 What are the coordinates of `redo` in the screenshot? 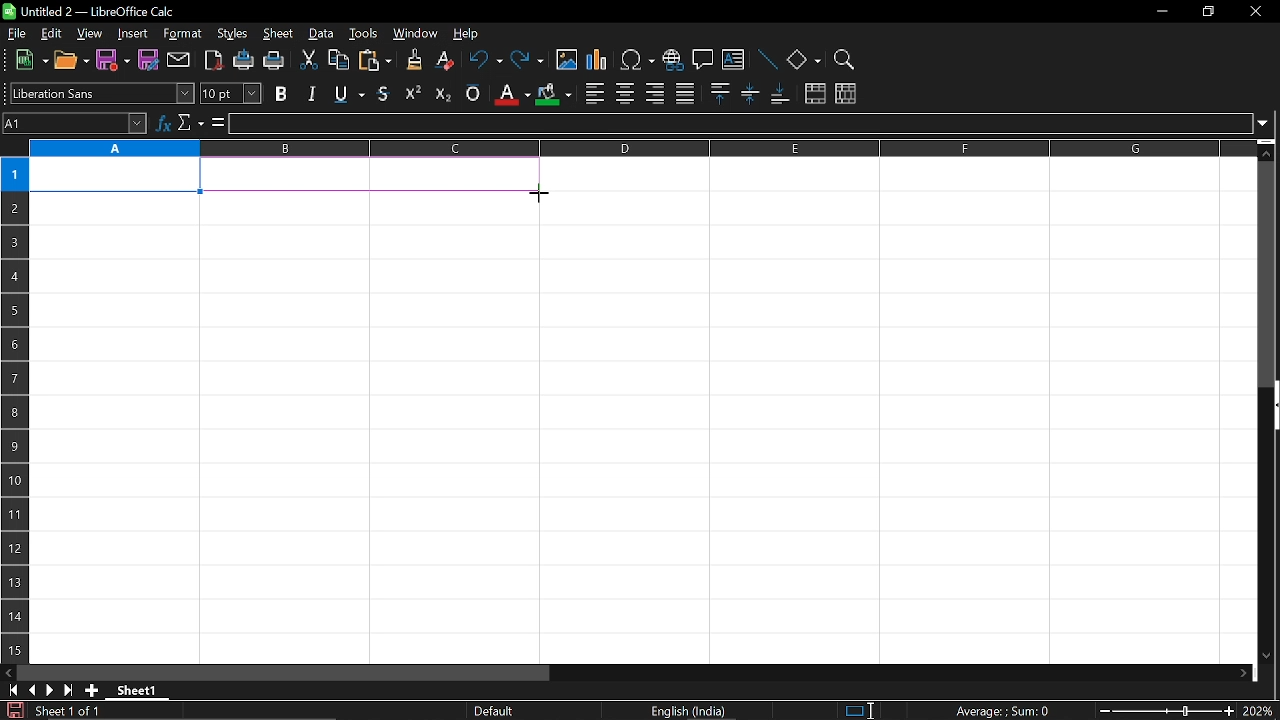 It's located at (528, 61).